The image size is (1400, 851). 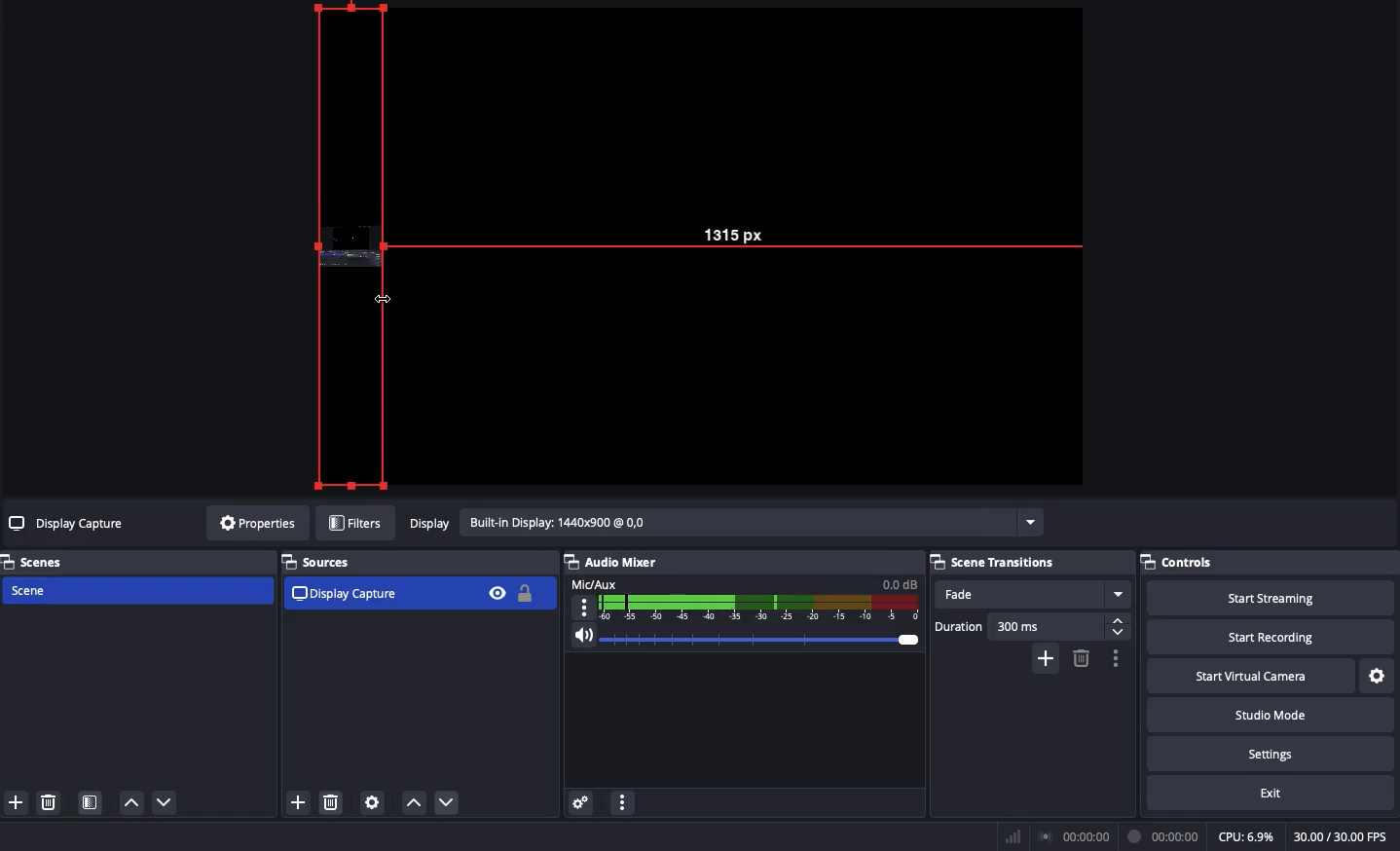 I want to click on Bar, so click(x=1013, y=836).